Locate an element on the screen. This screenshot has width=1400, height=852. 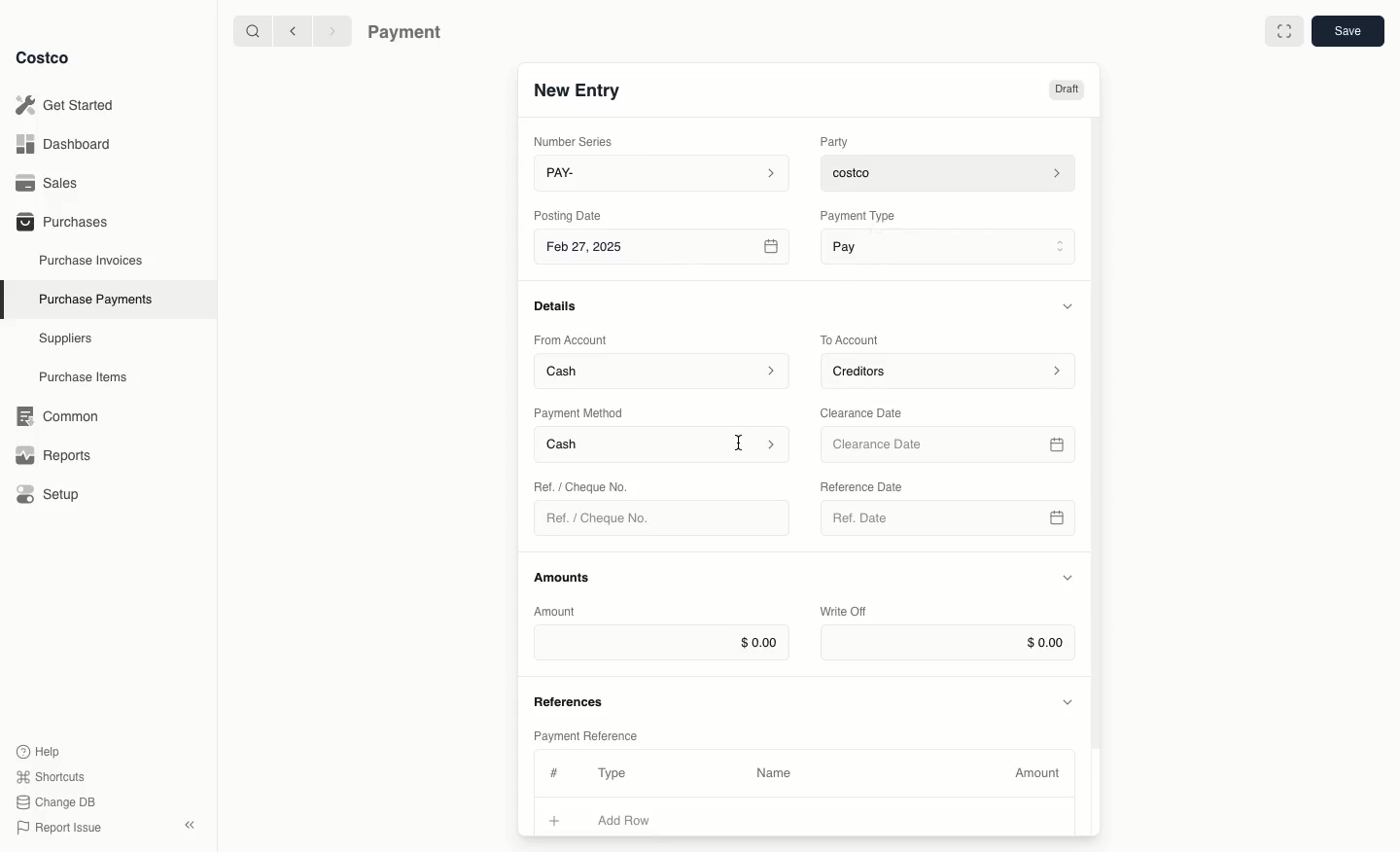
Purchase Invoices is located at coordinates (92, 260).